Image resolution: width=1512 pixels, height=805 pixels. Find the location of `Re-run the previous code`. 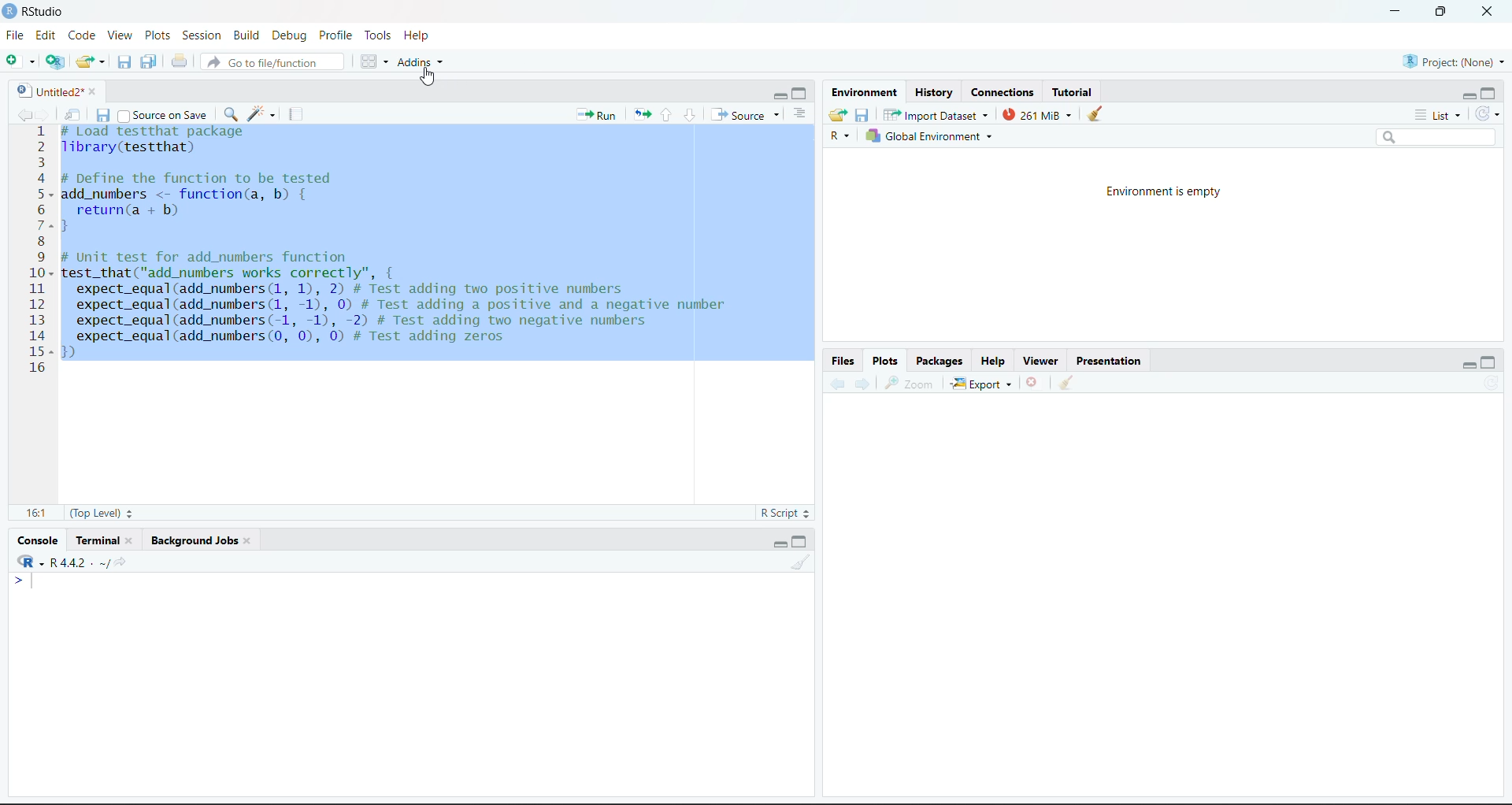

Re-run the previous code is located at coordinates (639, 113).